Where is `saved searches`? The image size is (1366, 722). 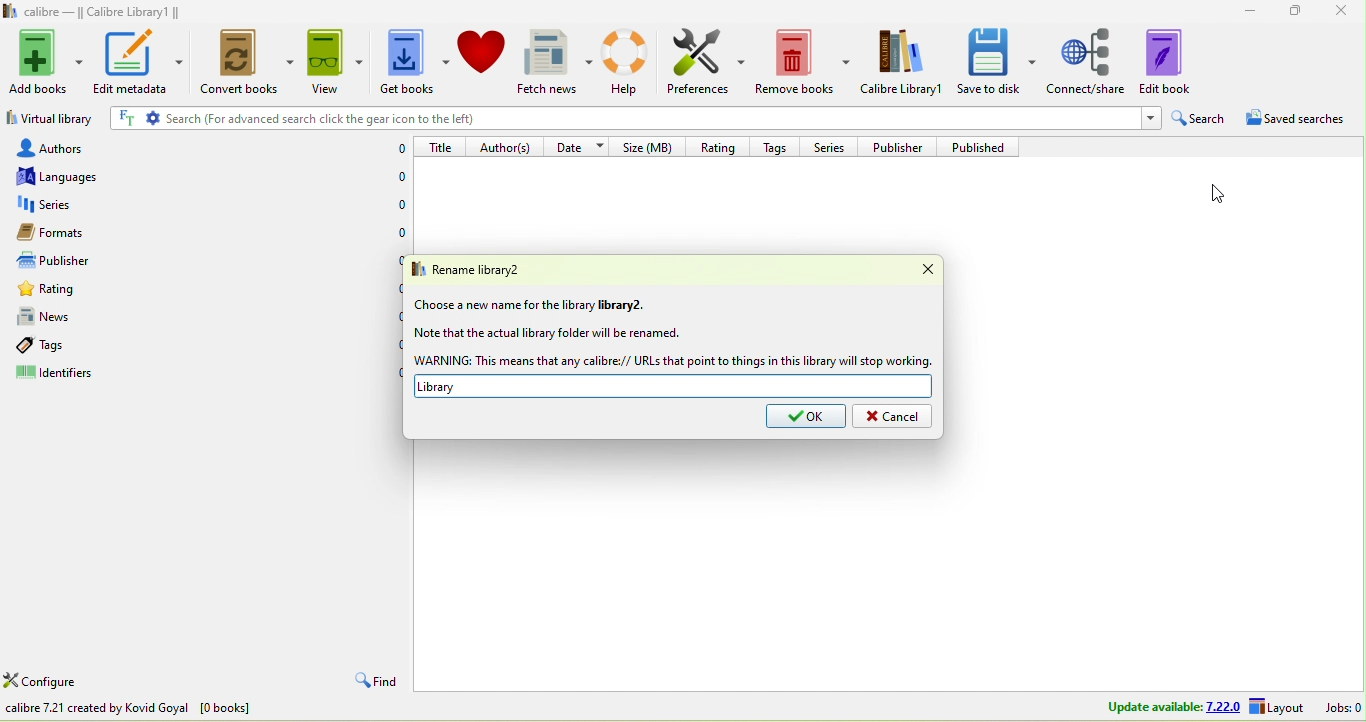 saved searches is located at coordinates (1303, 121).